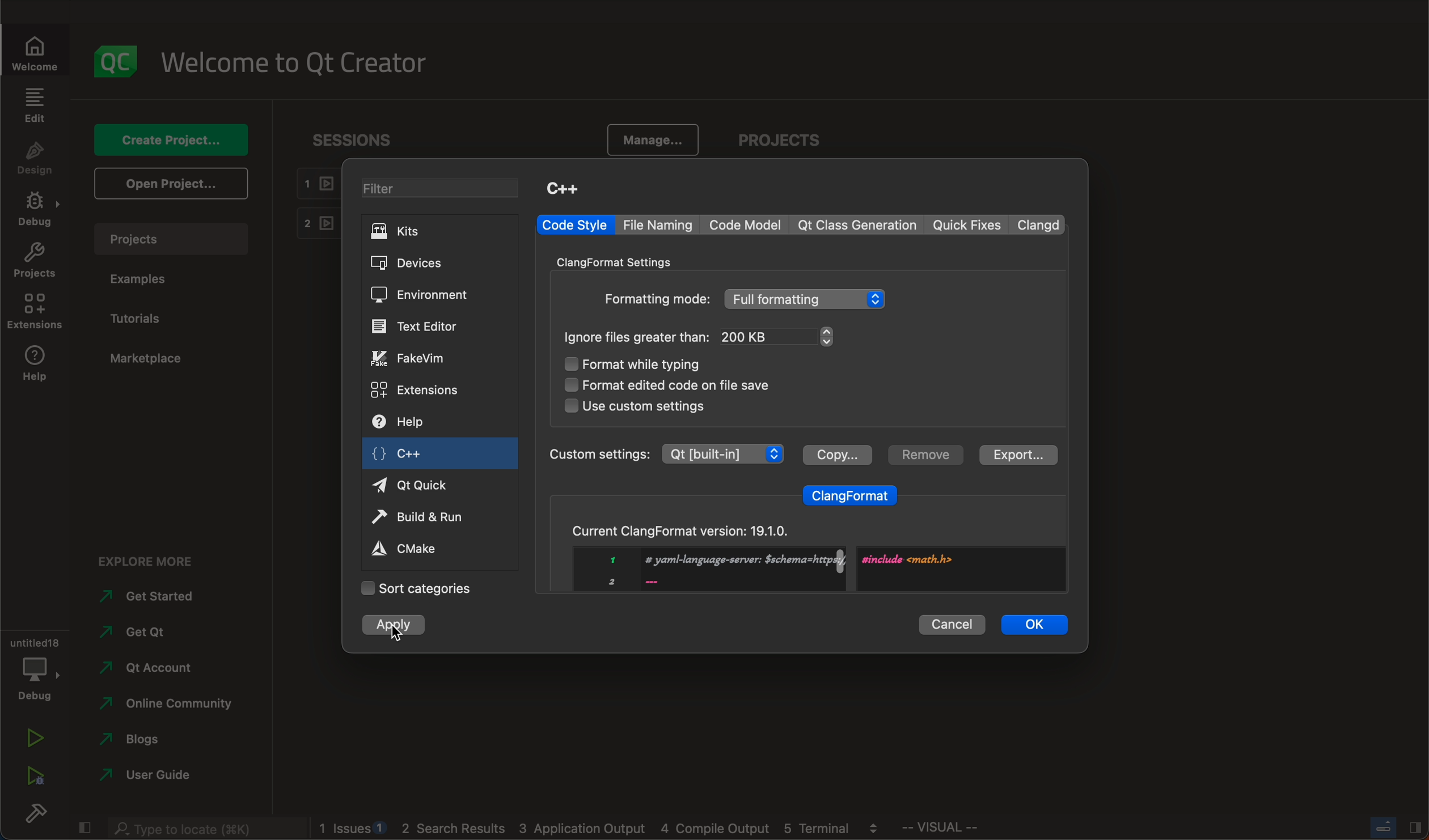 This screenshot has width=1429, height=840. Describe the element at coordinates (168, 139) in the screenshot. I see `create` at that location.